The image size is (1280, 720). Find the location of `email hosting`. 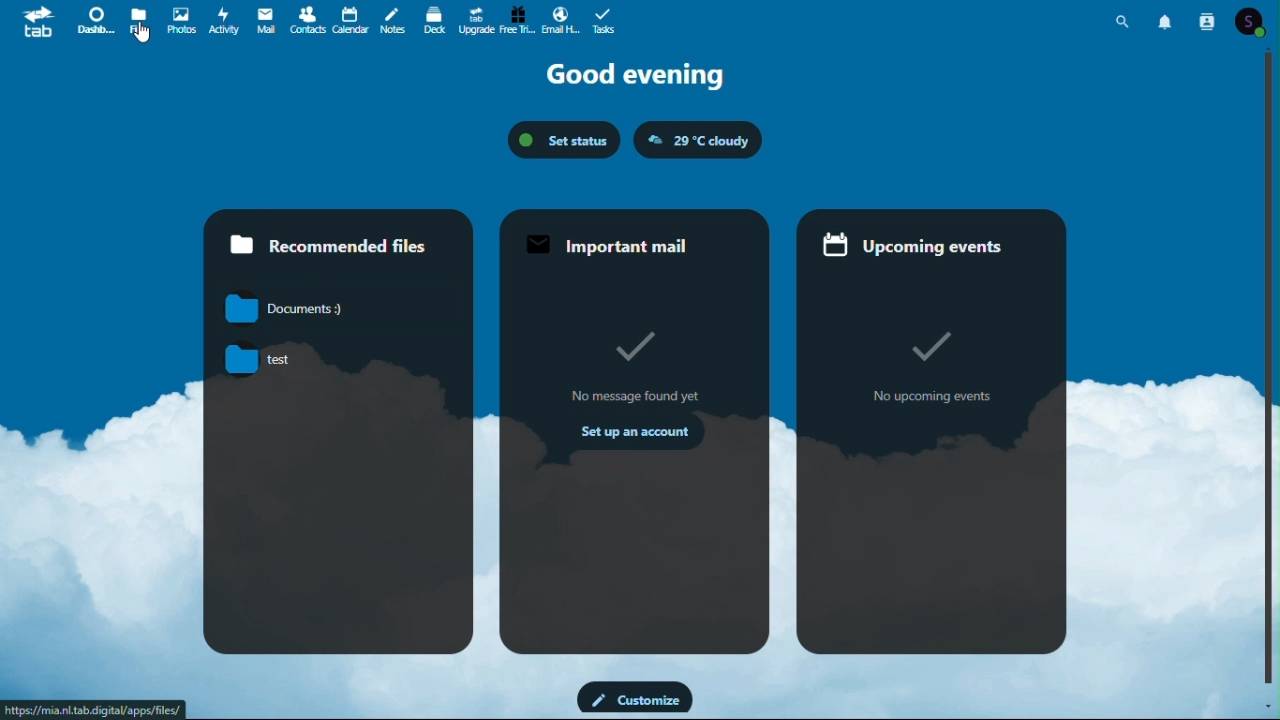

email hosting is located at coordinates (560, 21).